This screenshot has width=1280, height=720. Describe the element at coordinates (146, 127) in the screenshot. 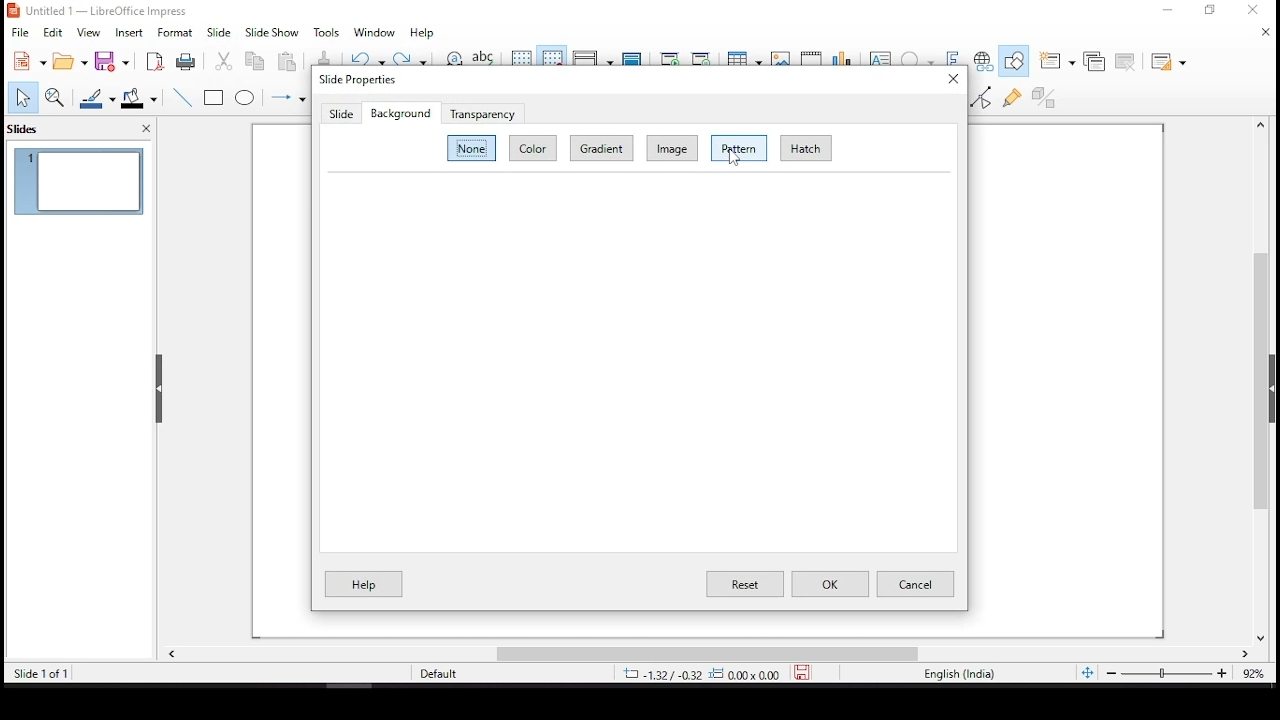

I see `close pane` at that location.